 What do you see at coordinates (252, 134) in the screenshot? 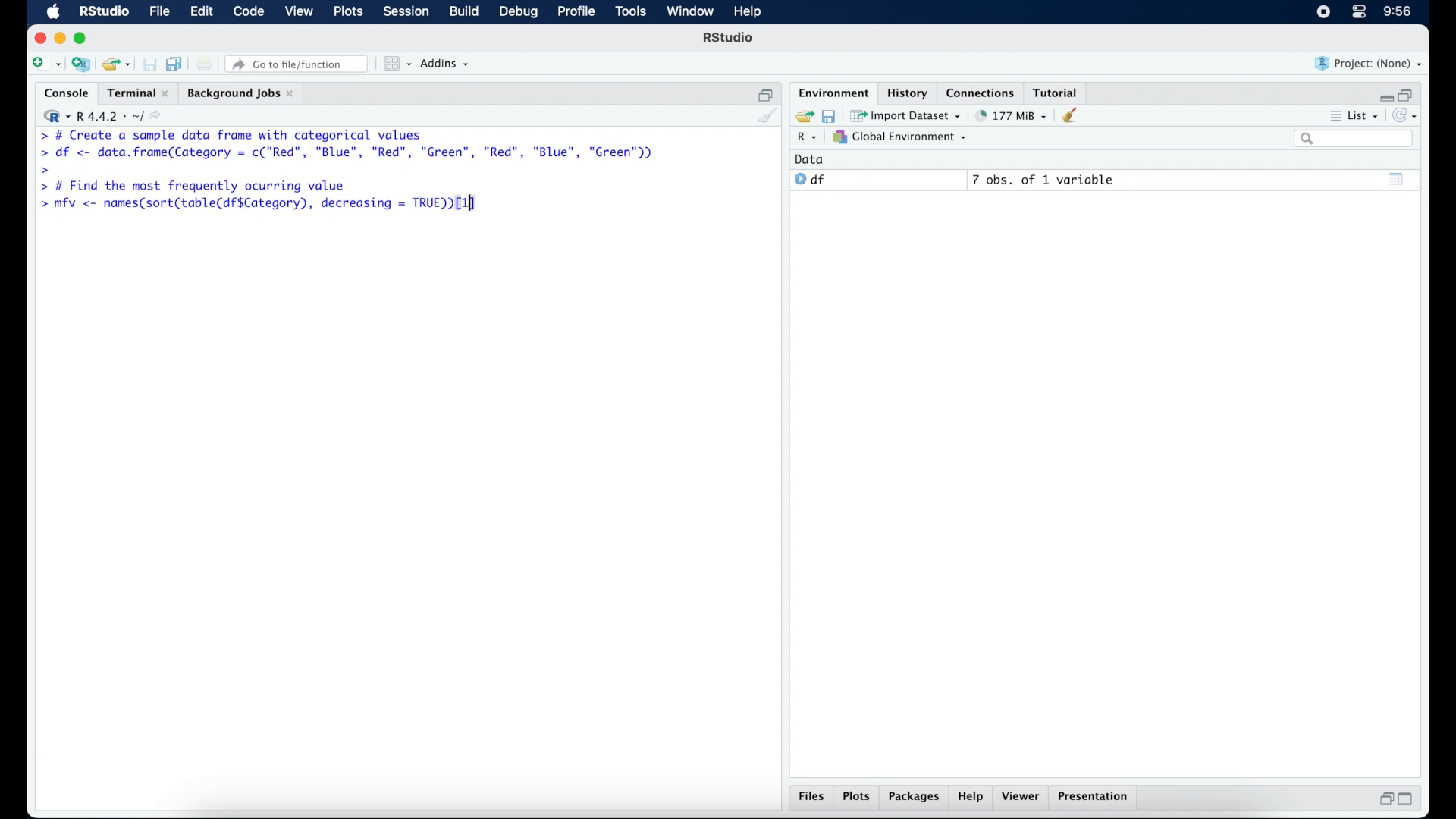
I see `> # Create a sample data frame with categorical values|` at bounding box center [252, 134].